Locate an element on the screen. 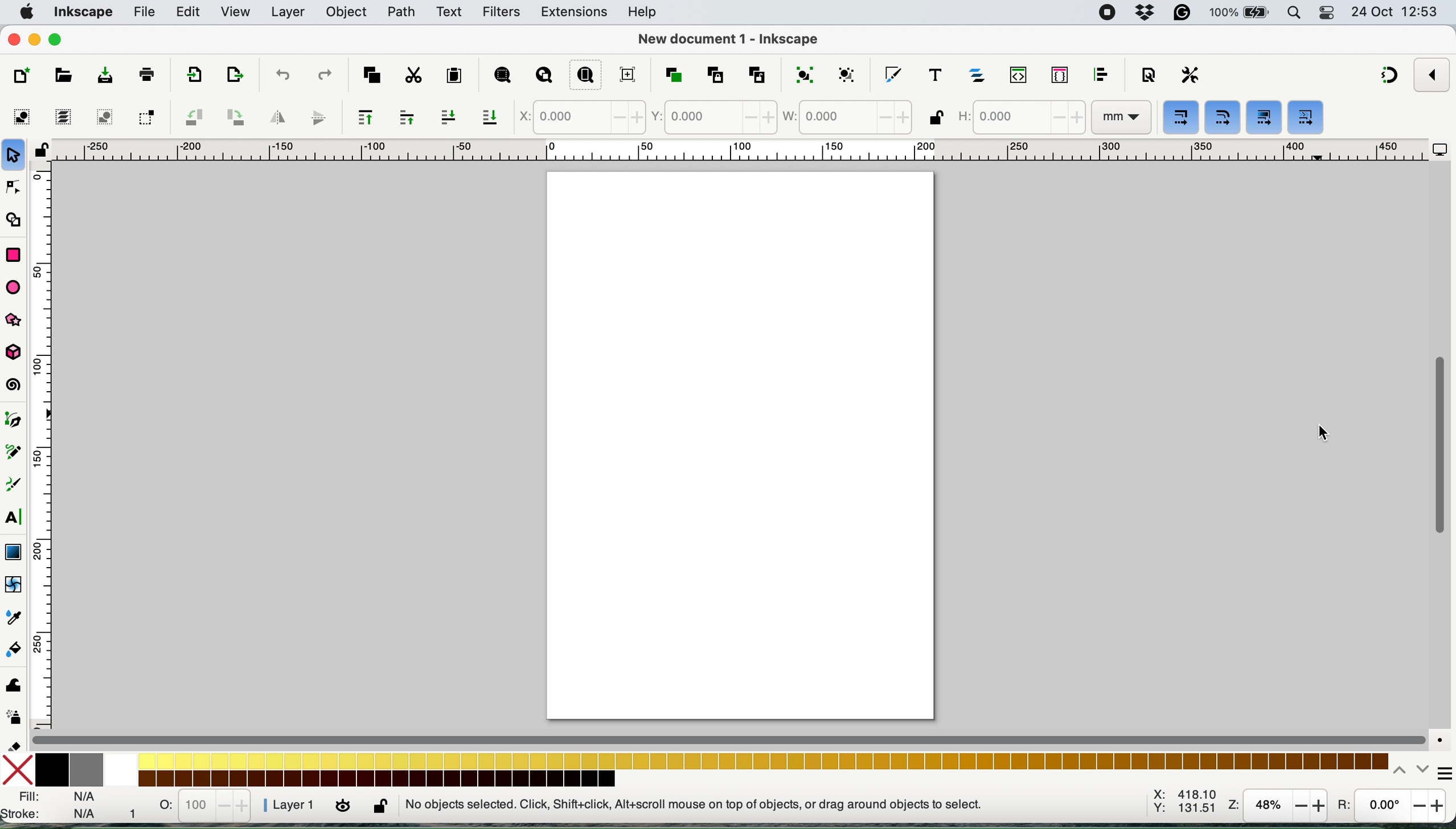 The image size is (1456, 829). print is located at coordinates (147, 75).